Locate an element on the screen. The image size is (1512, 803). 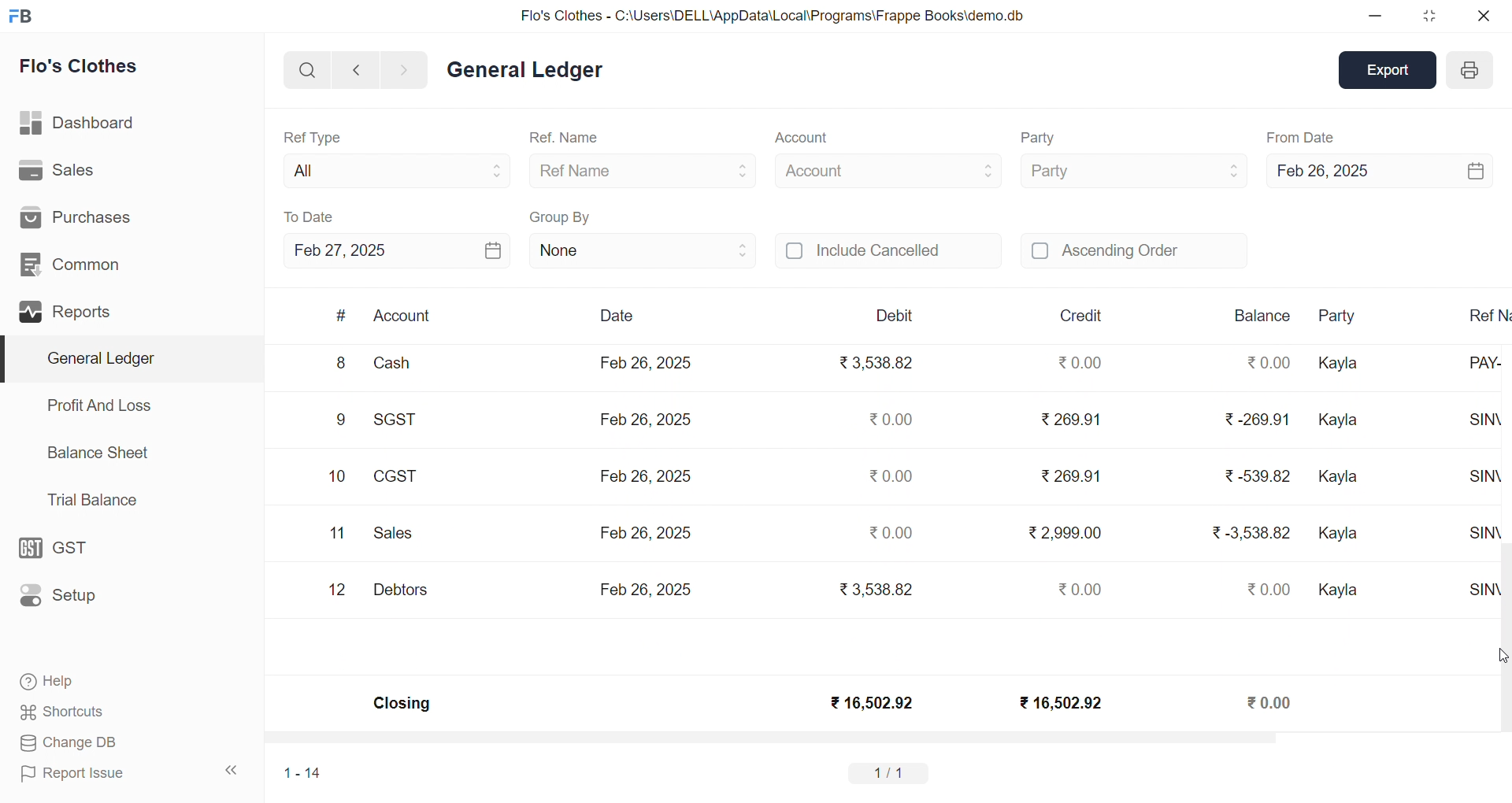
₹0.00 is located at coordinates (1273, 589).